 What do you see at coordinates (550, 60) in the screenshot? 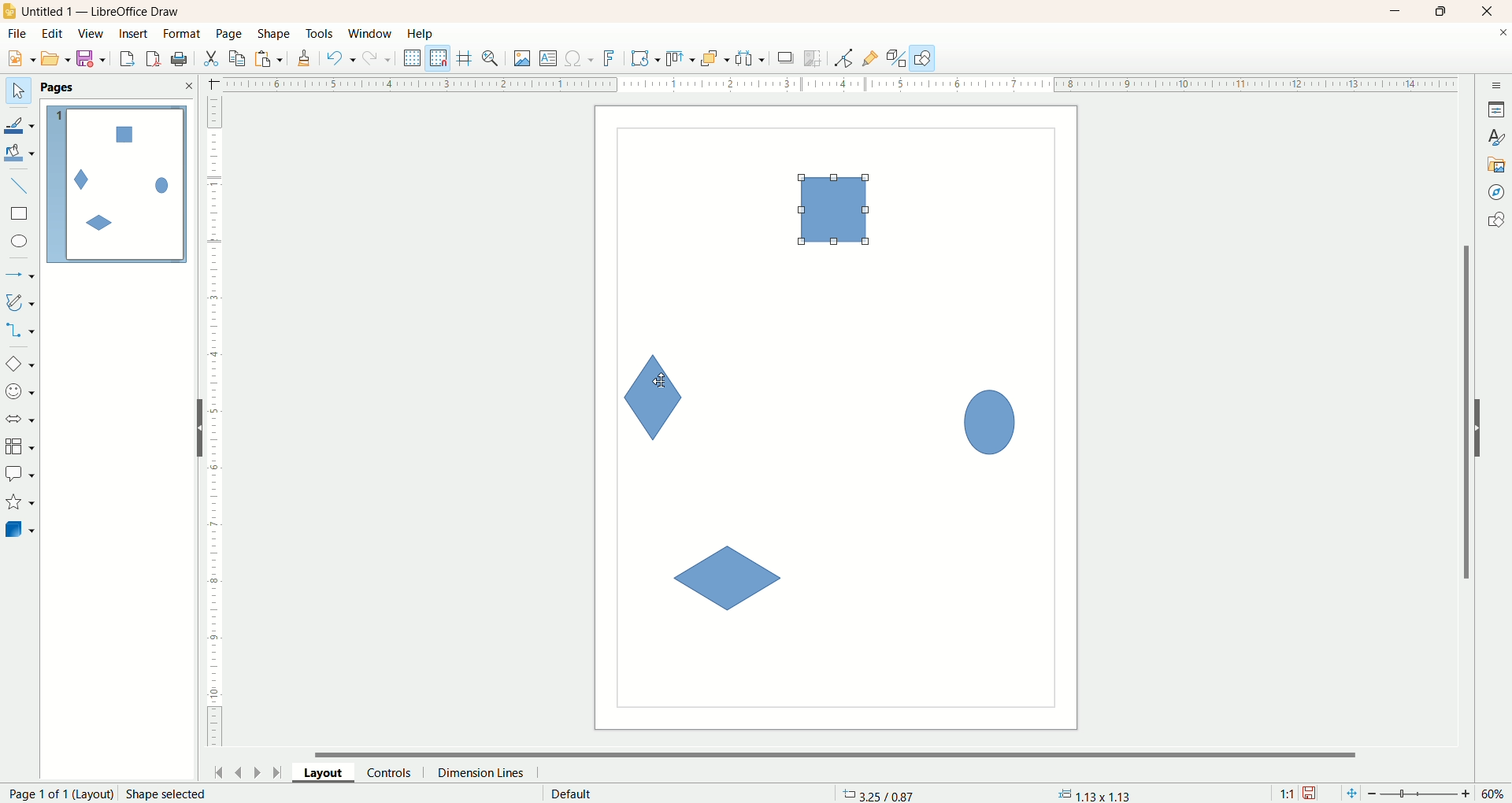
I see `text box` at bounding box center [550, 60].